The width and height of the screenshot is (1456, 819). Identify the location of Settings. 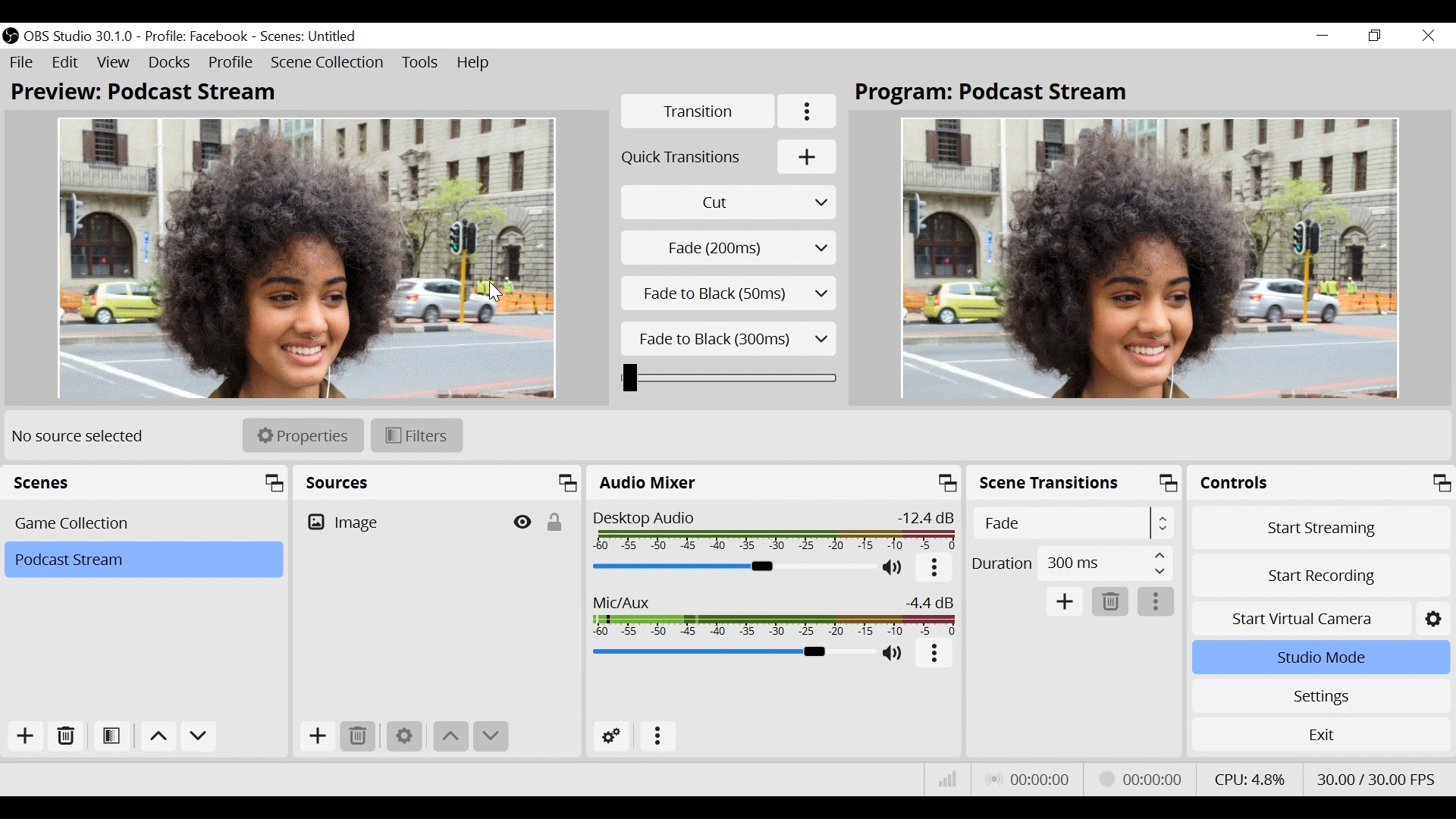
(1319, 696).